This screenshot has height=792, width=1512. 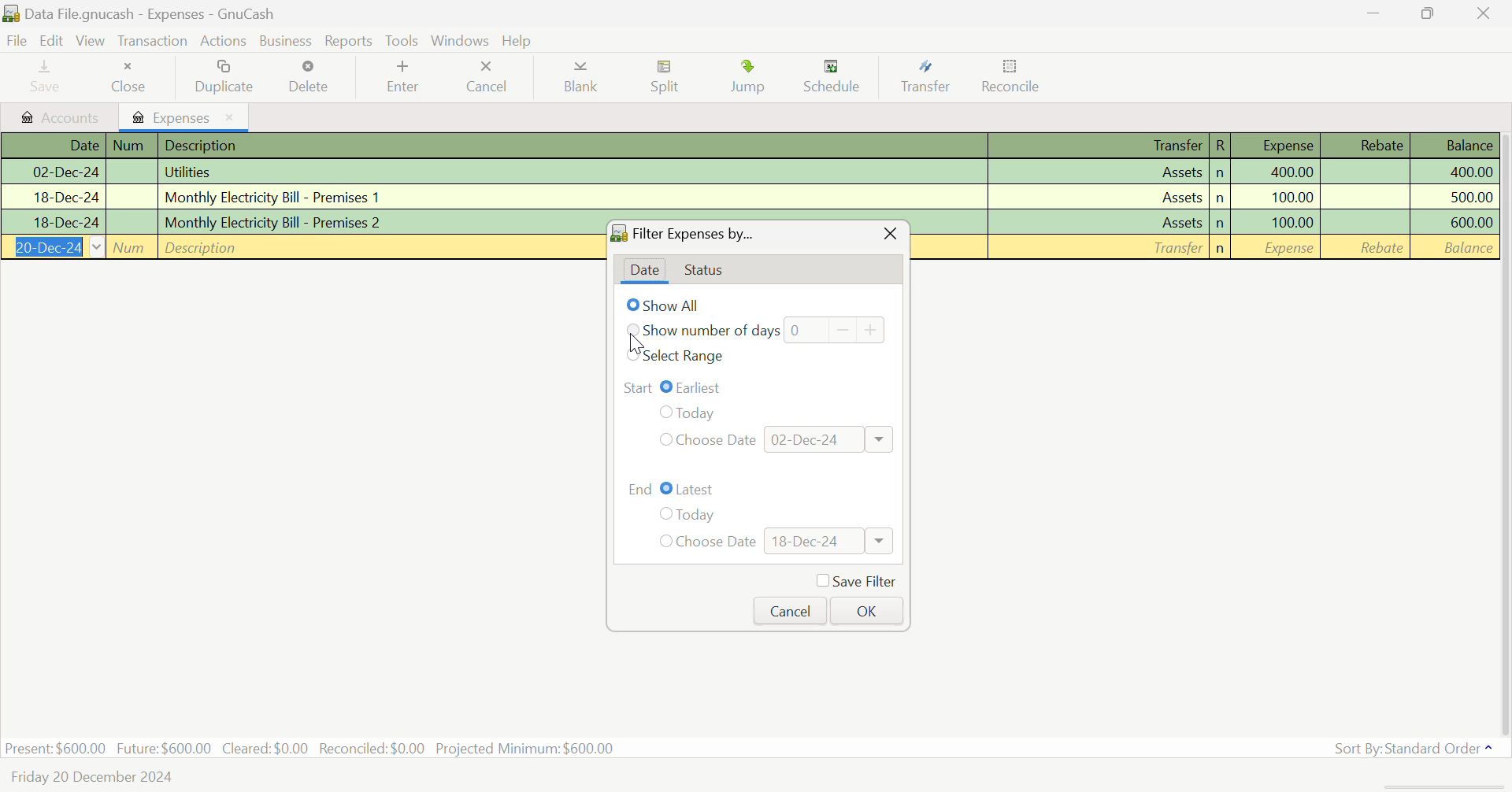 What do you see at coordinates (461, 39) in the screenshot?
I see `Windows` at bounding box center [461, 39].